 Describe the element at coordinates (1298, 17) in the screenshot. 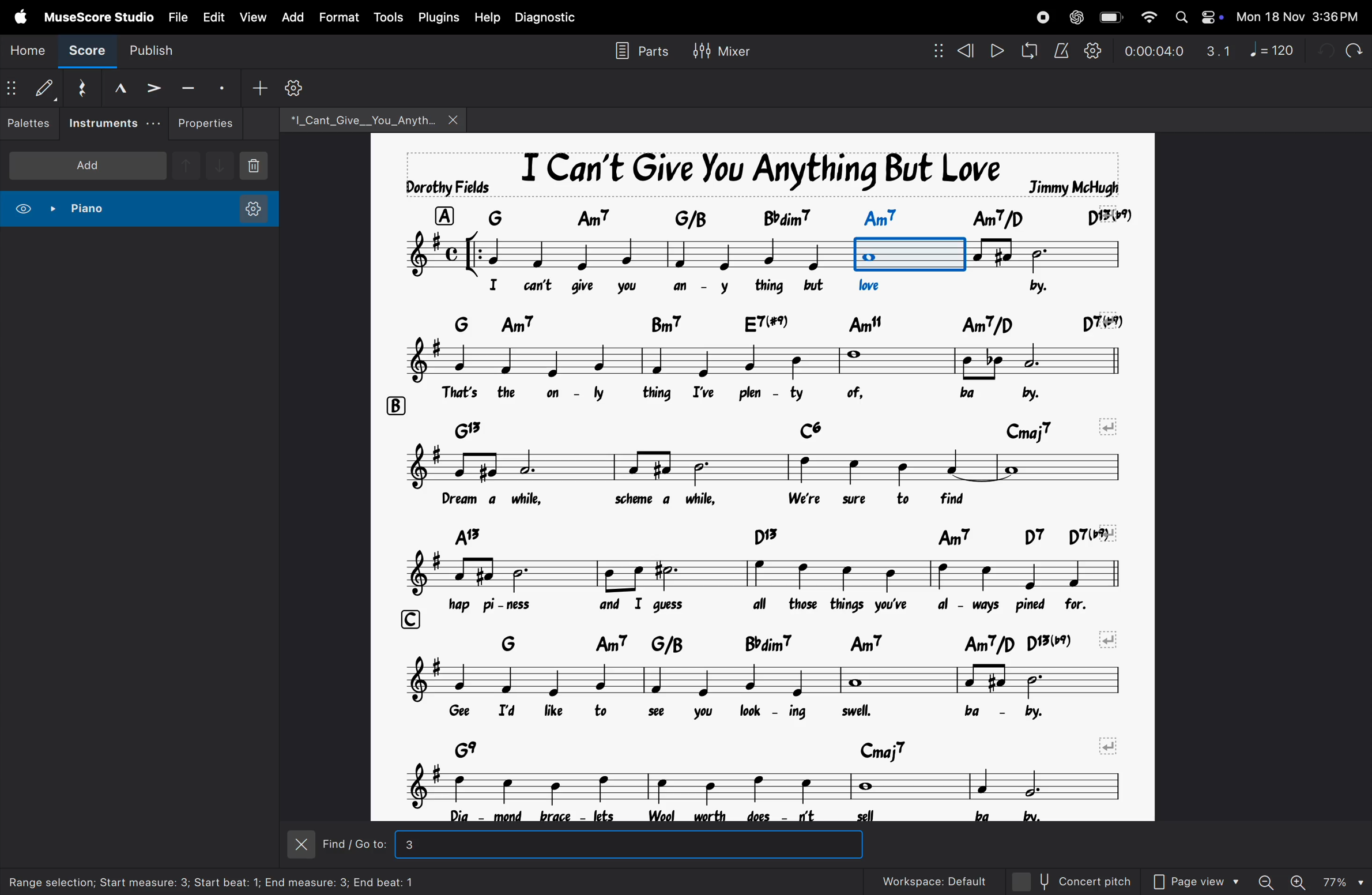

I see `date and time` at that location.